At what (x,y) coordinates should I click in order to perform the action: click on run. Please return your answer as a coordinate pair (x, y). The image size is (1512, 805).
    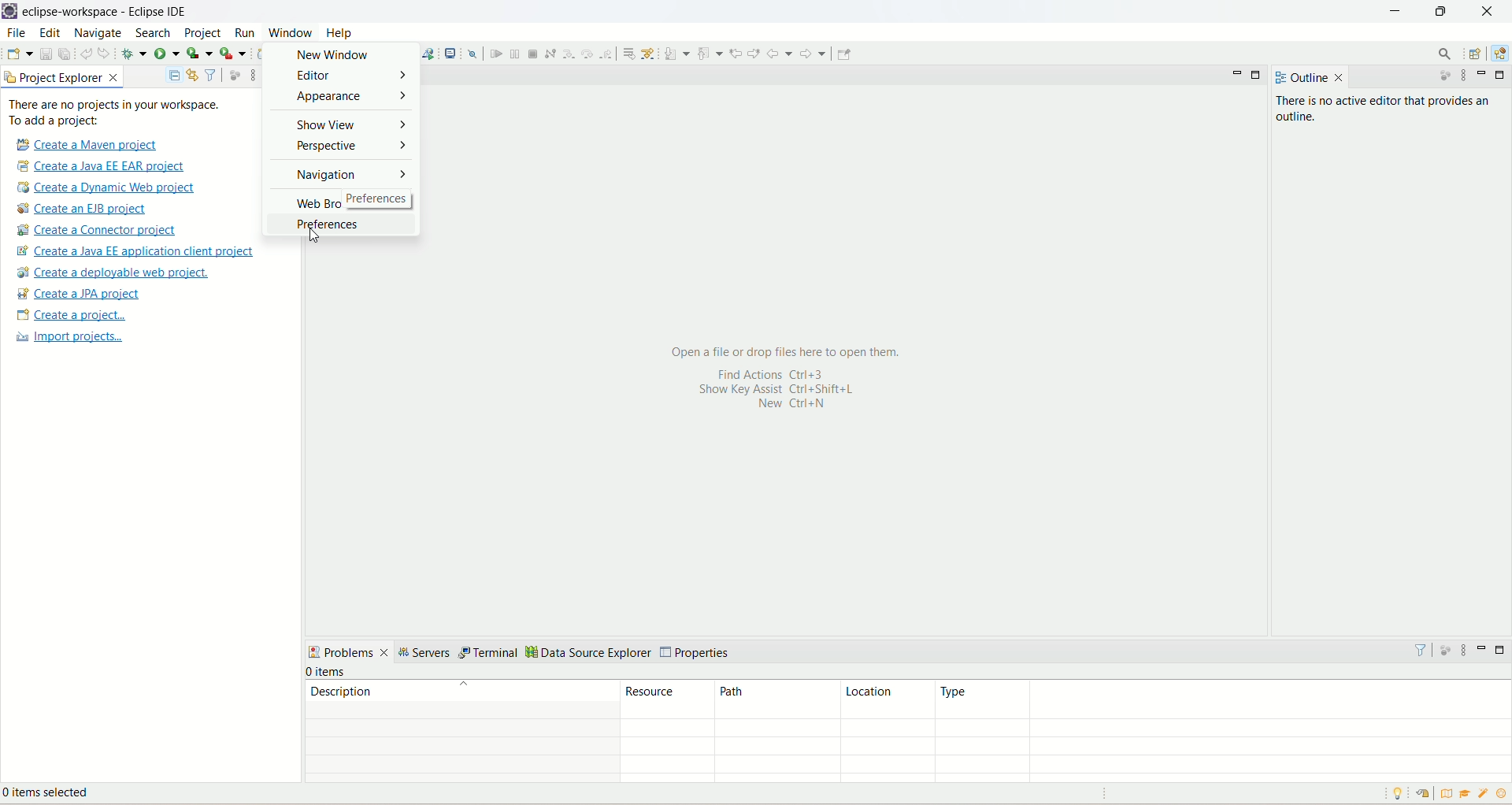
    Looking at the image, I should click on (243, 32).